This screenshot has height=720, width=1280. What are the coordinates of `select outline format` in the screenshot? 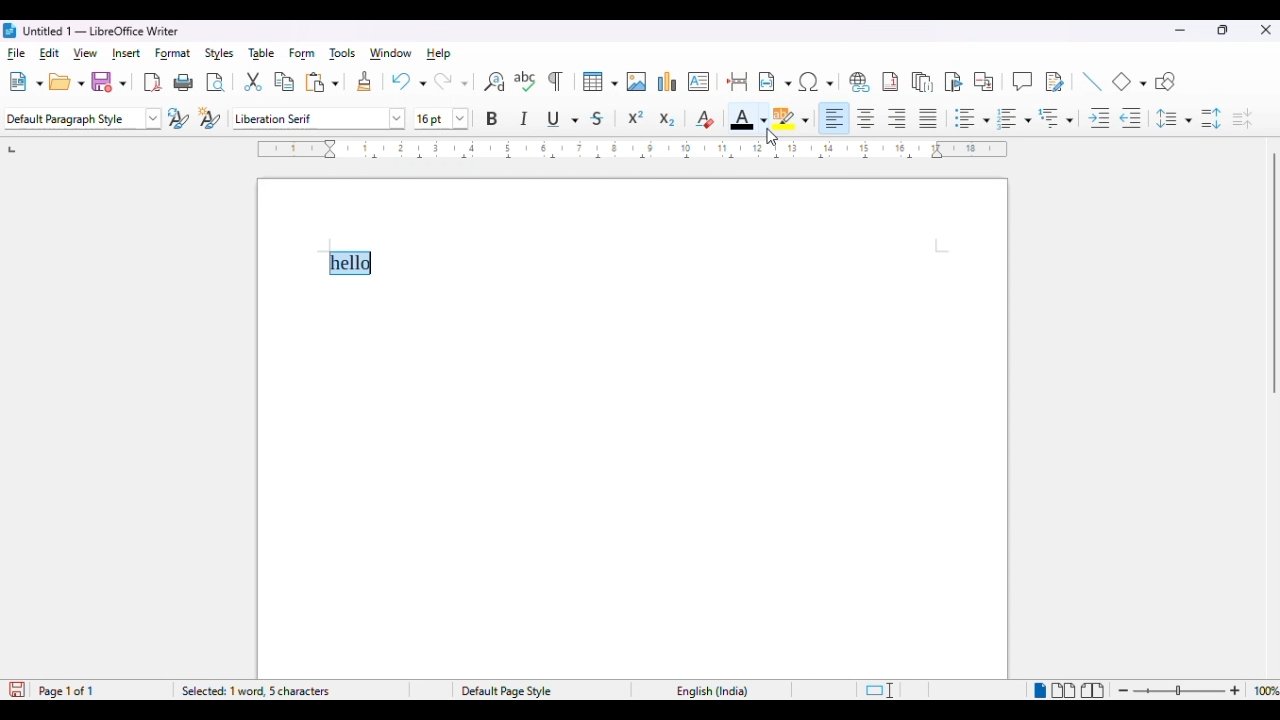 It's located at (1056, 118).